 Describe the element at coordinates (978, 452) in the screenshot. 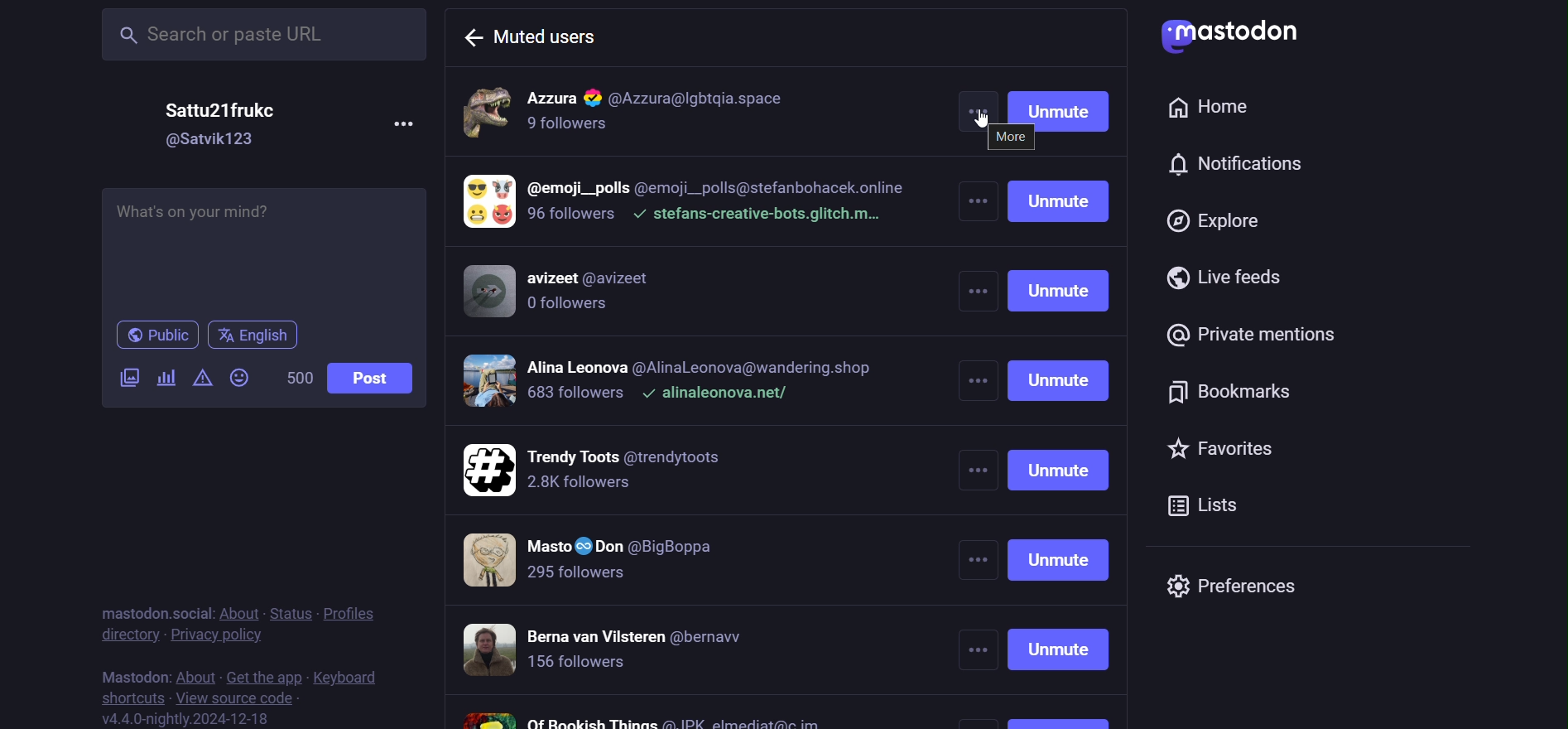

I see `more` at that location.